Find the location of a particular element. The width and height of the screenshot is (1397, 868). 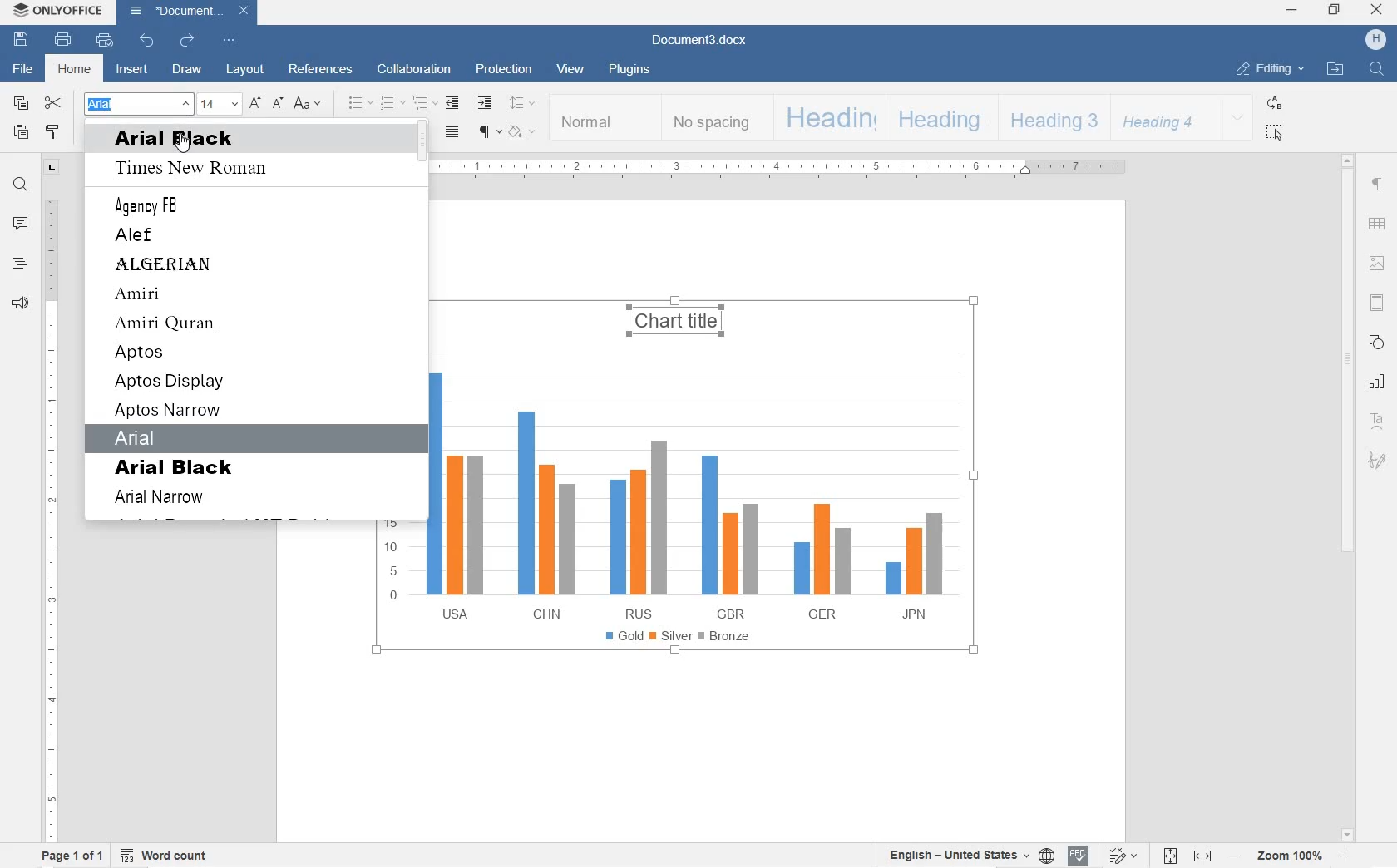

FIT TO PAGE OR WIDTH is located at coordinates (1186, 855).